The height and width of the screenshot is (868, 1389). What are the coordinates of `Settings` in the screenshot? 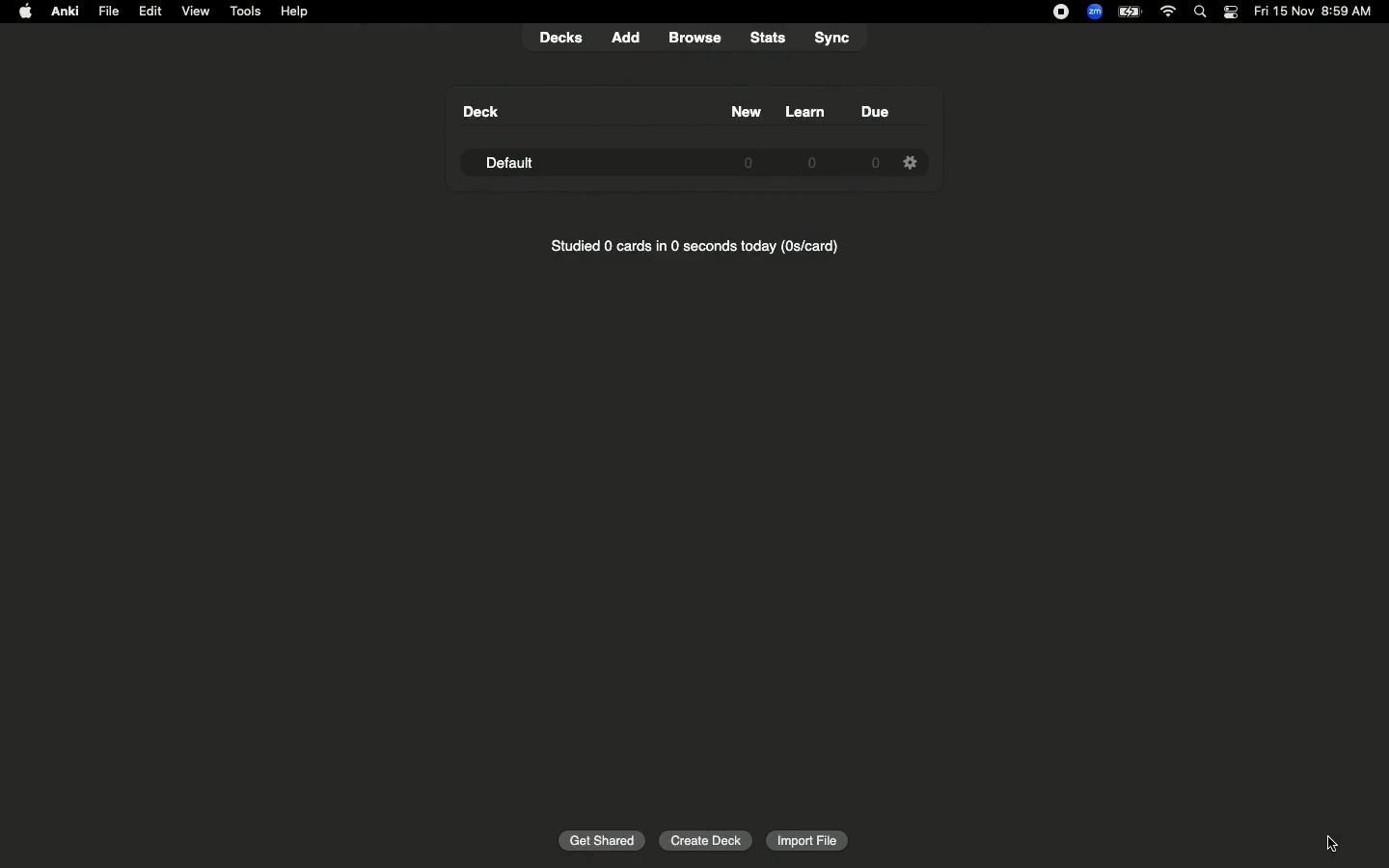 It's located at (909, 163).